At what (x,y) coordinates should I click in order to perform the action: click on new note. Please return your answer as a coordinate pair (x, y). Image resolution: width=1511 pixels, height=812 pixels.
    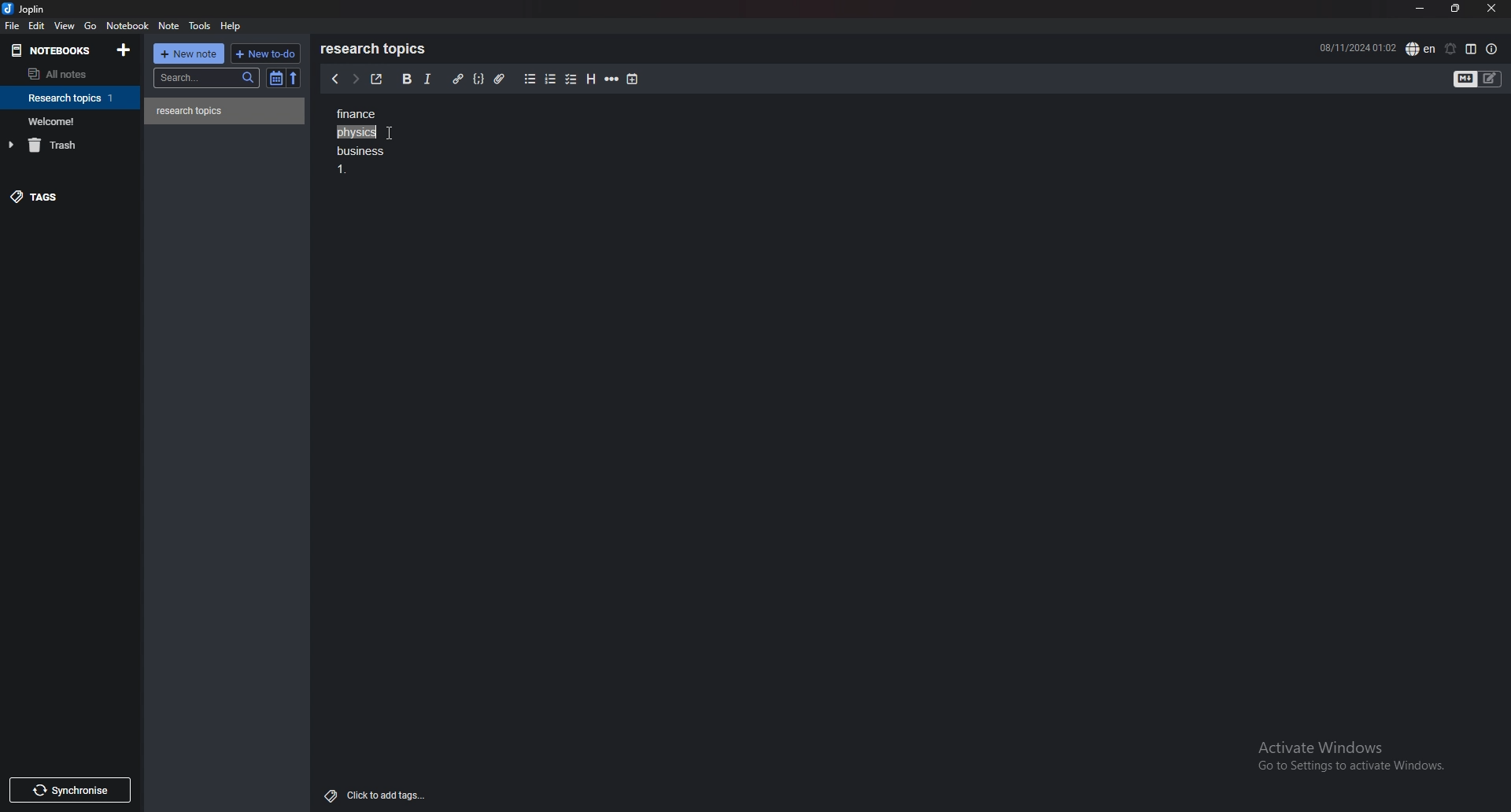
    Looking at the image, I should click on (190, 53).